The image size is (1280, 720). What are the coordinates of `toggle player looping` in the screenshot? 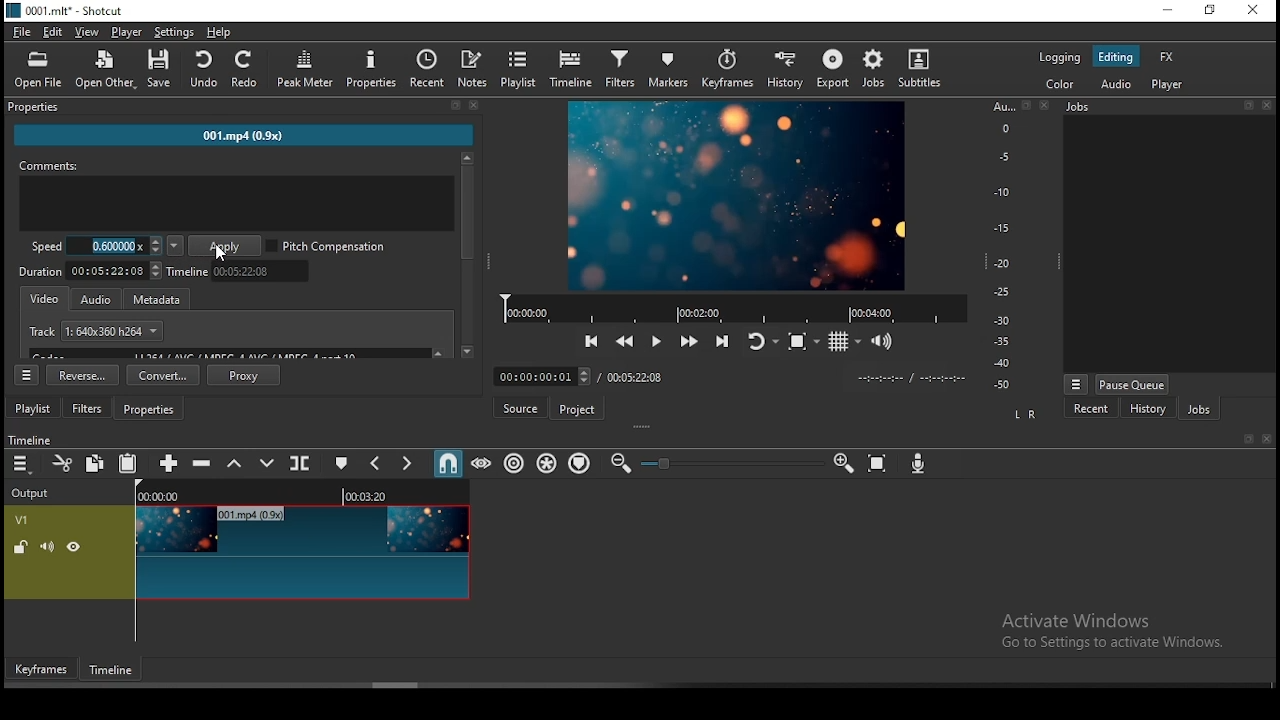 It's located at (761, 340).